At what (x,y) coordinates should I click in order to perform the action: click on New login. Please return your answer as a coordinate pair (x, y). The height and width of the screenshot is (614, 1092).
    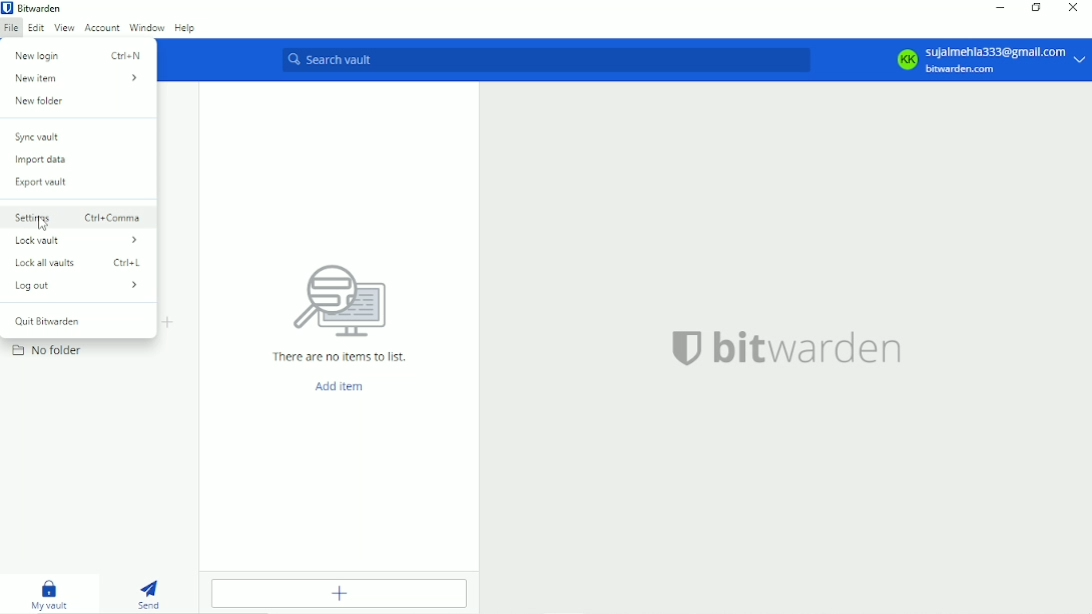
    Looking at the image, I should click on (77, 55).